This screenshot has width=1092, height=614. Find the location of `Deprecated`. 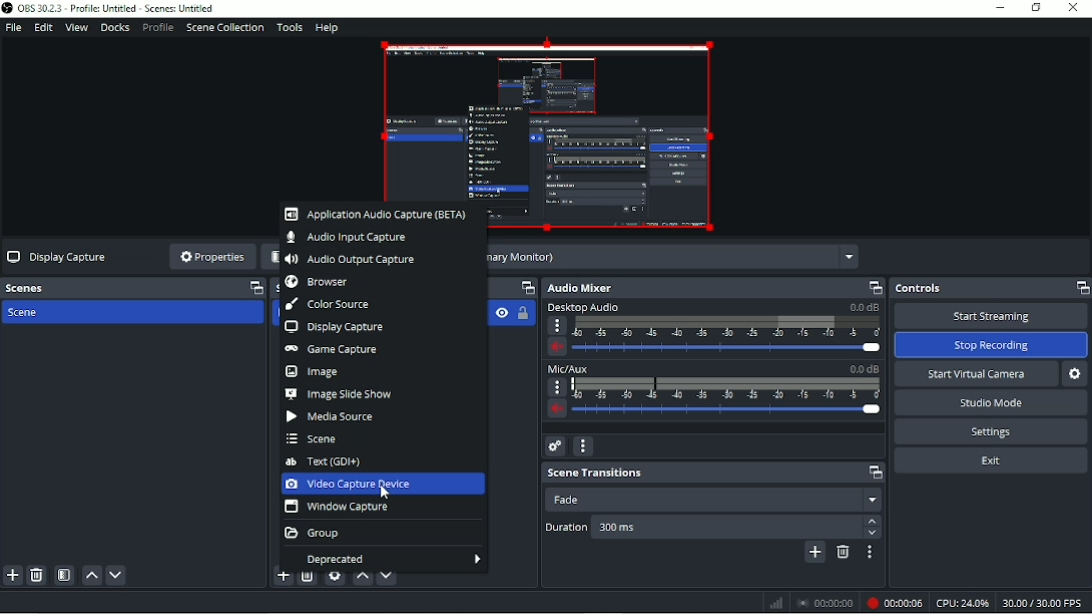

Deprecated is located at coordinates (384, 556).